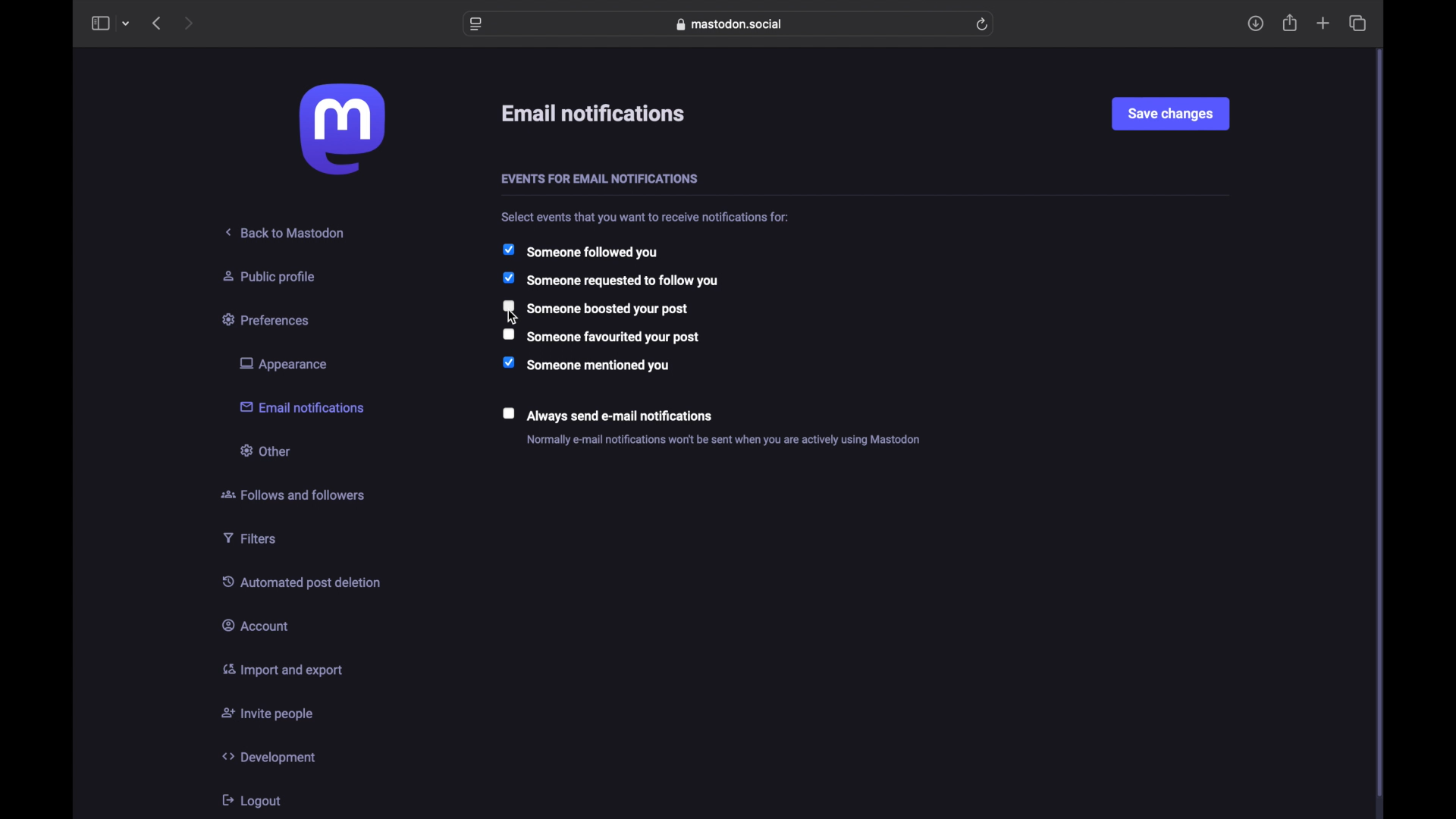 Image resolution: width=1456 pixels, height=819 pixels. I want to click on save changes, so click(1170, 113).